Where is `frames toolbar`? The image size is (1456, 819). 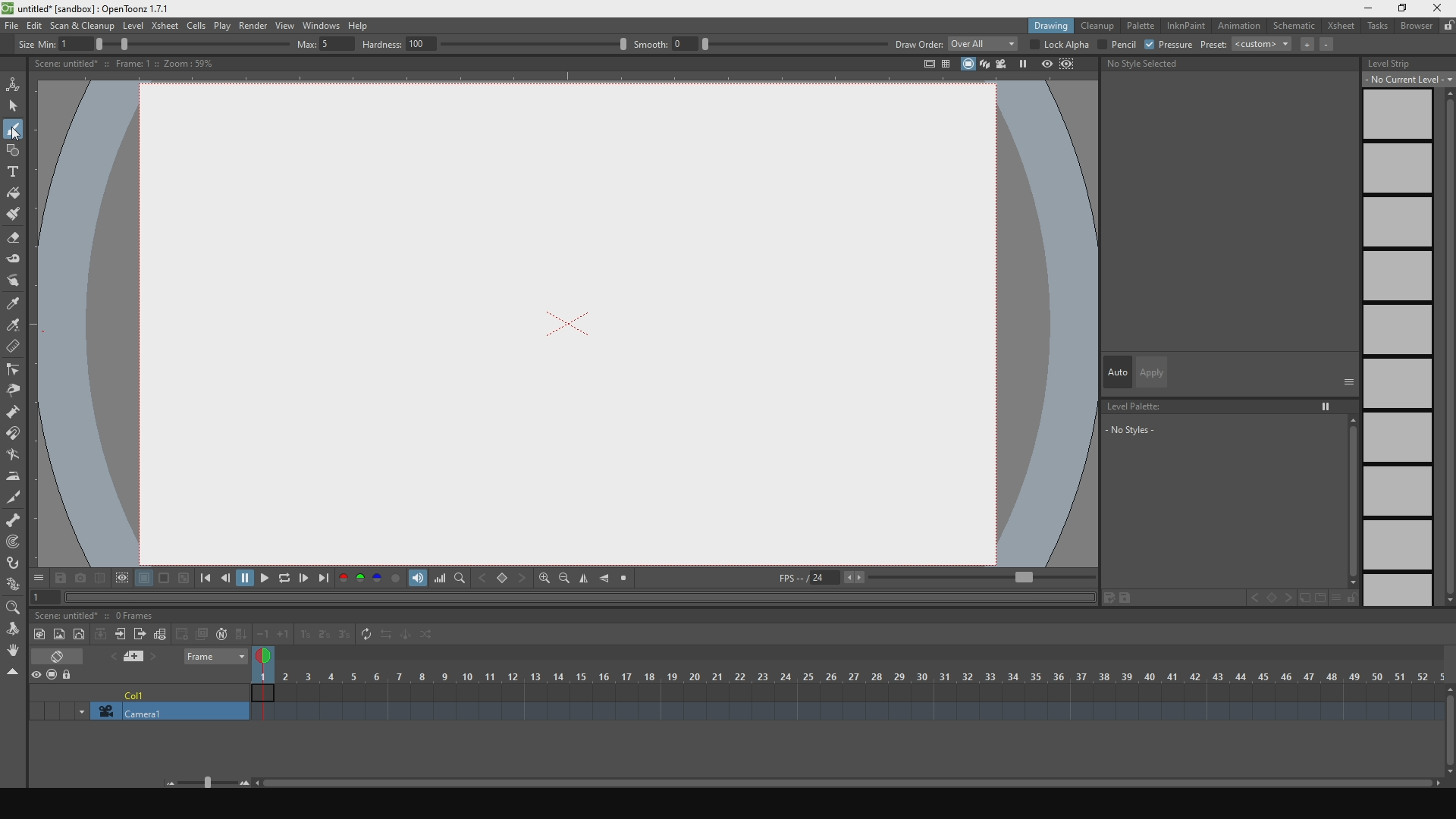
frames toolbar is located at coordinates (136, 633).